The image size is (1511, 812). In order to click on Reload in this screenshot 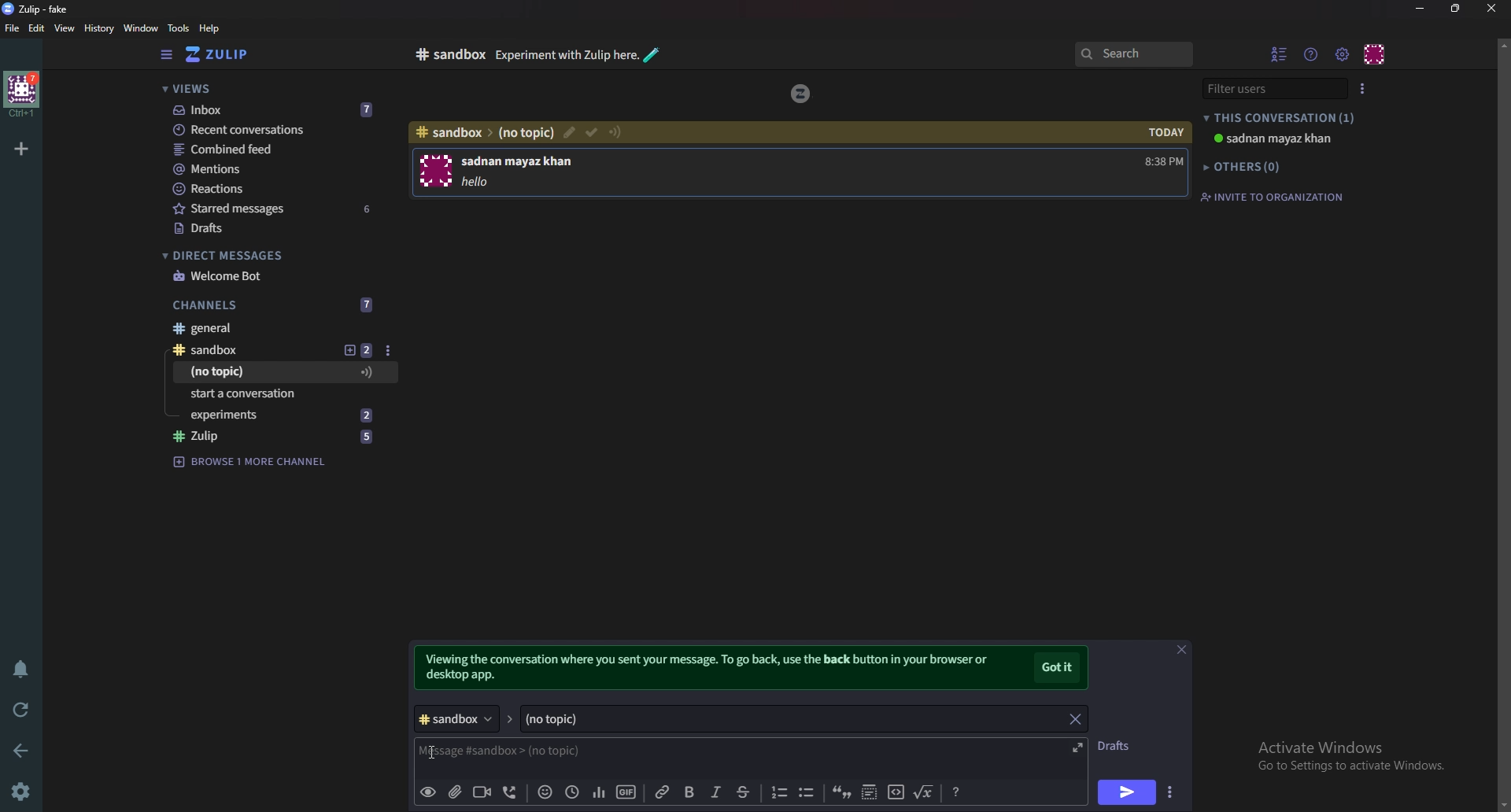, I will do `click(21, 710)`.